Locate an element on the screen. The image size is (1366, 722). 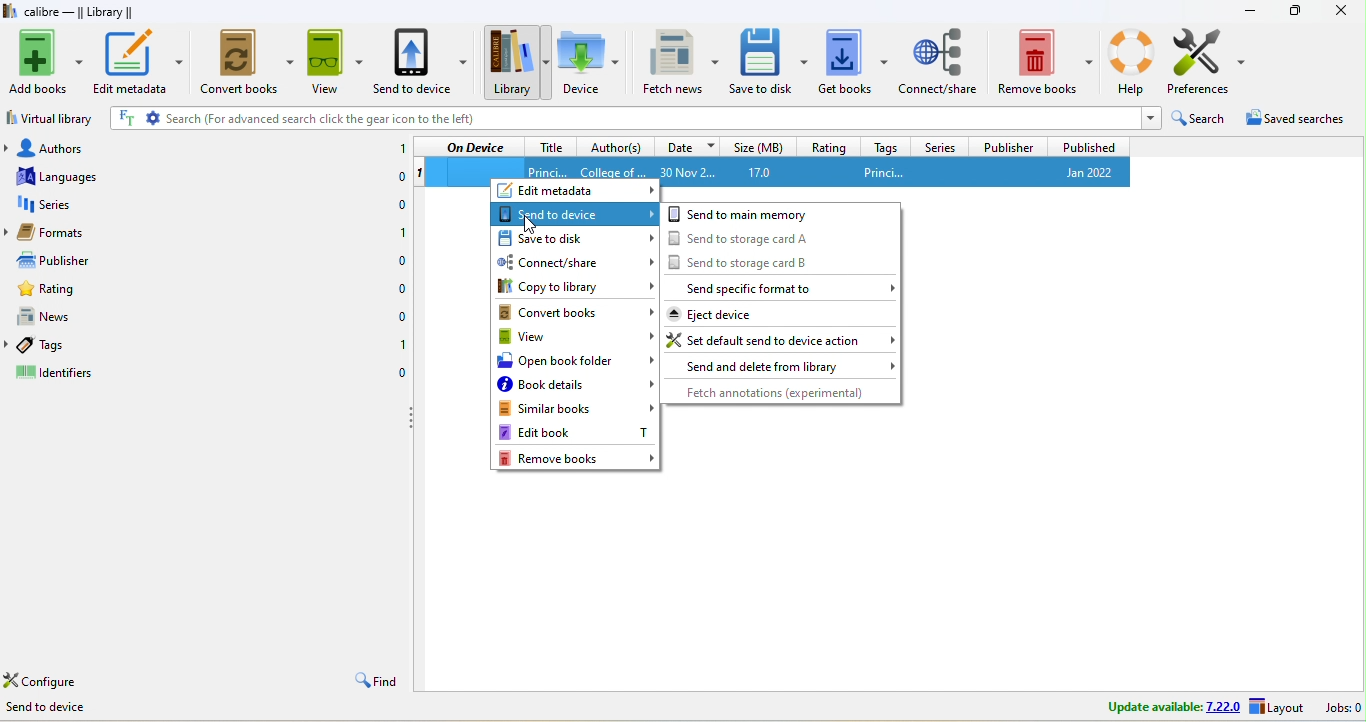
0 is located at coordinates (400, 262).